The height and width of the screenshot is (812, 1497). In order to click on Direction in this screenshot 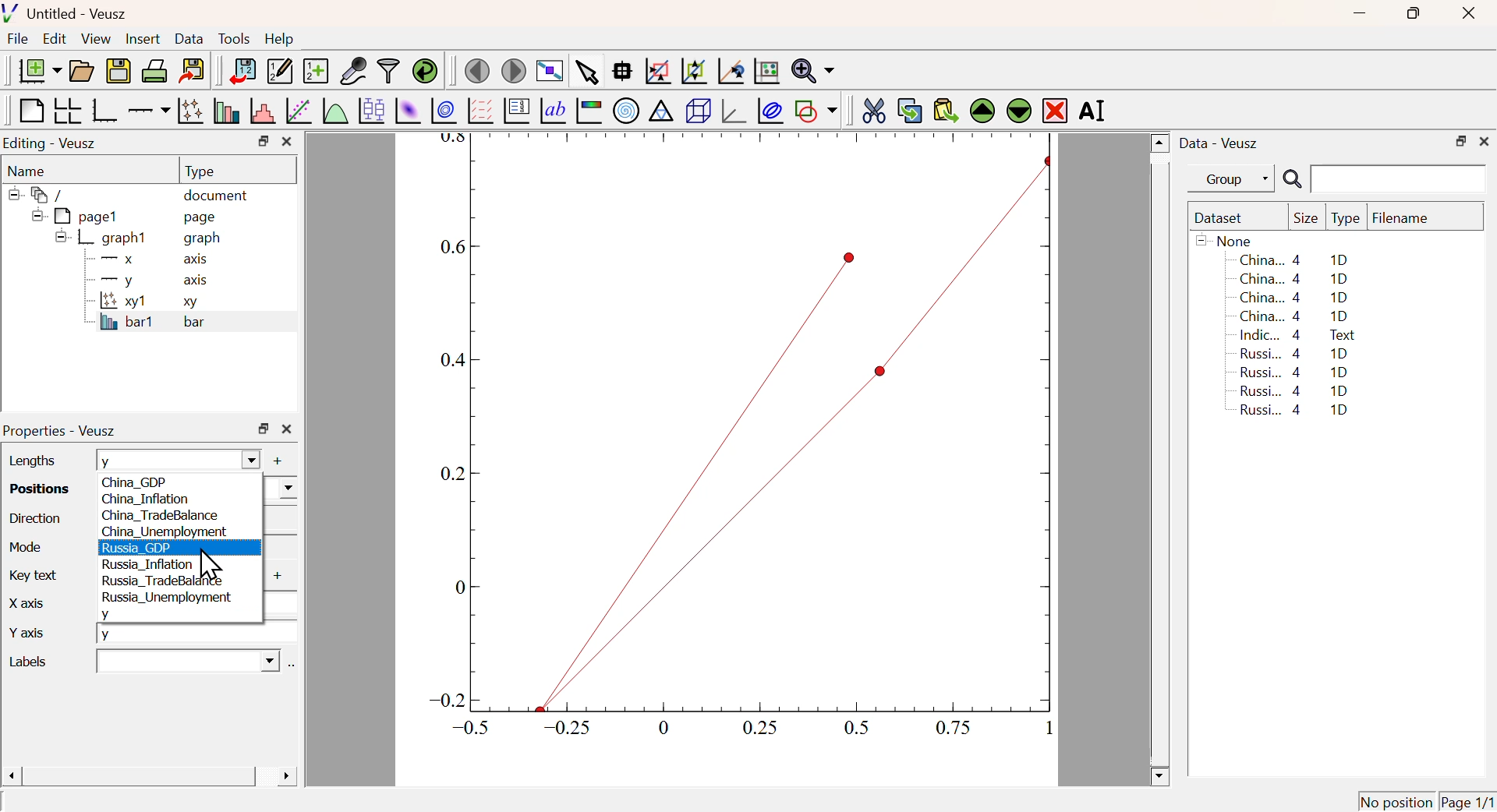, I will do `click(35, 517)`.